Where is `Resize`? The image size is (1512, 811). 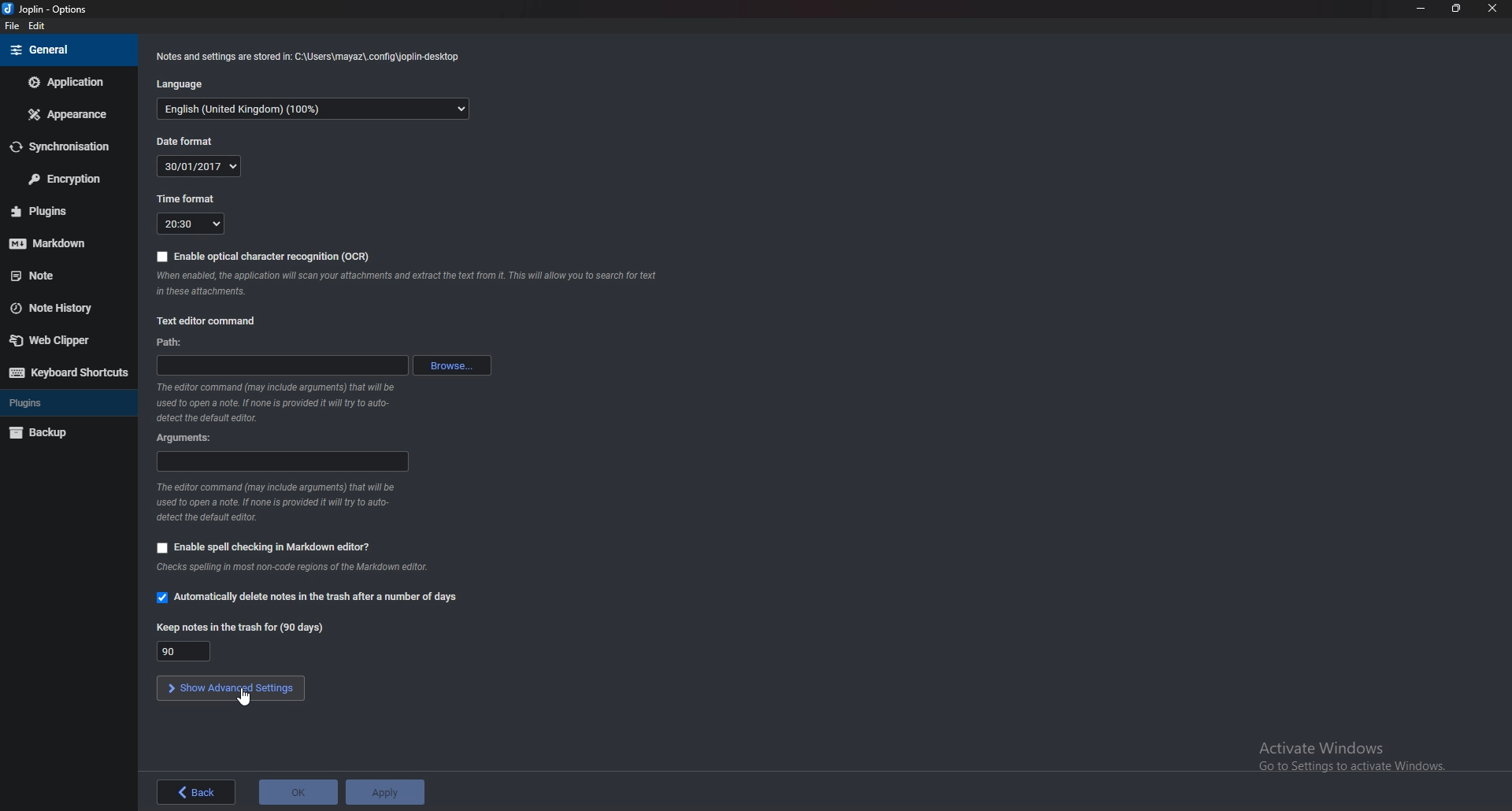
Resize is located at coordinates (1456, 9).